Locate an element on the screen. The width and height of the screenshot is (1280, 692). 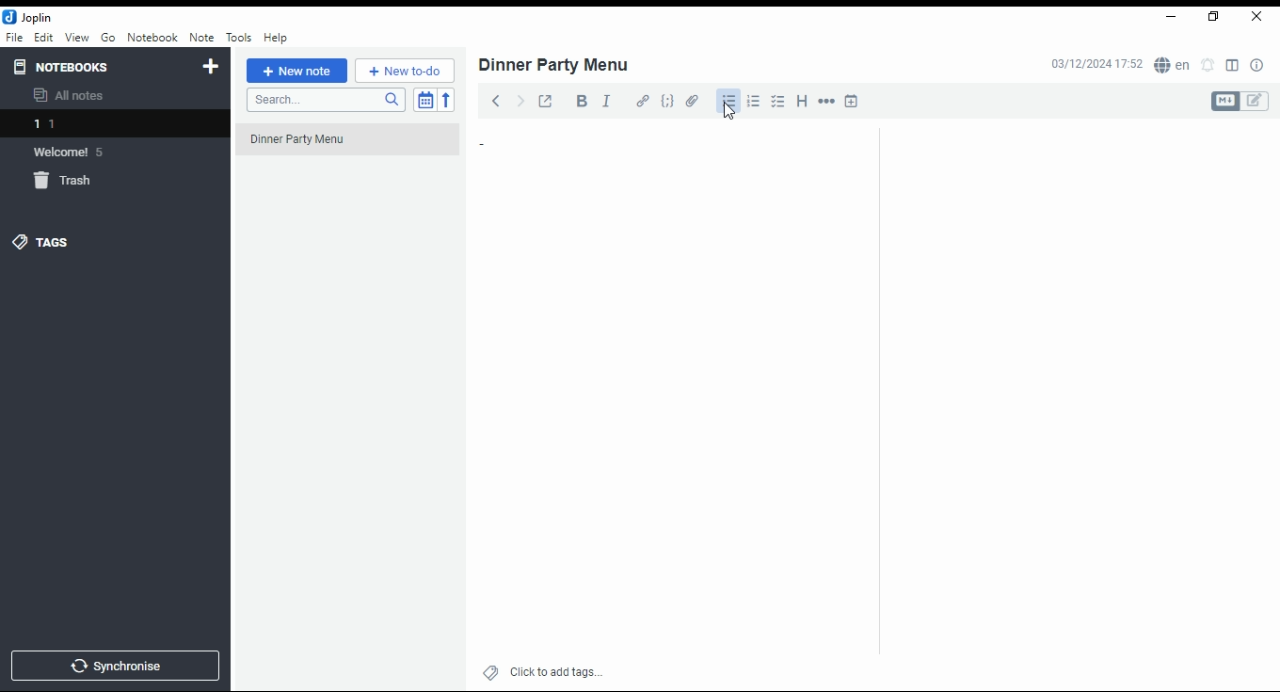
dinner party menu is located at coordinates (555, 65).